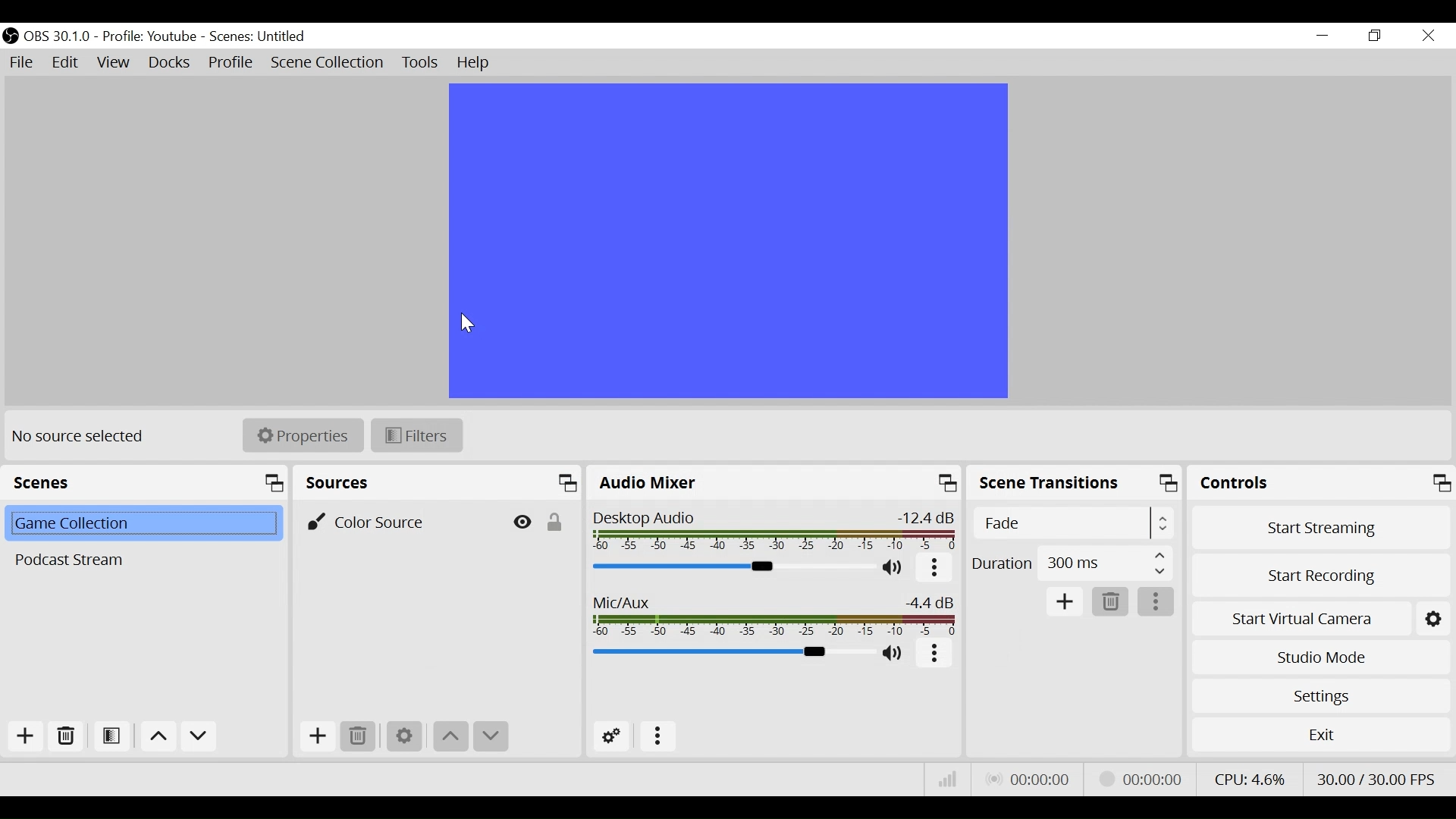 The height and width of the screenshot is (819, 1456). I want to click on File, so click(22, 63).